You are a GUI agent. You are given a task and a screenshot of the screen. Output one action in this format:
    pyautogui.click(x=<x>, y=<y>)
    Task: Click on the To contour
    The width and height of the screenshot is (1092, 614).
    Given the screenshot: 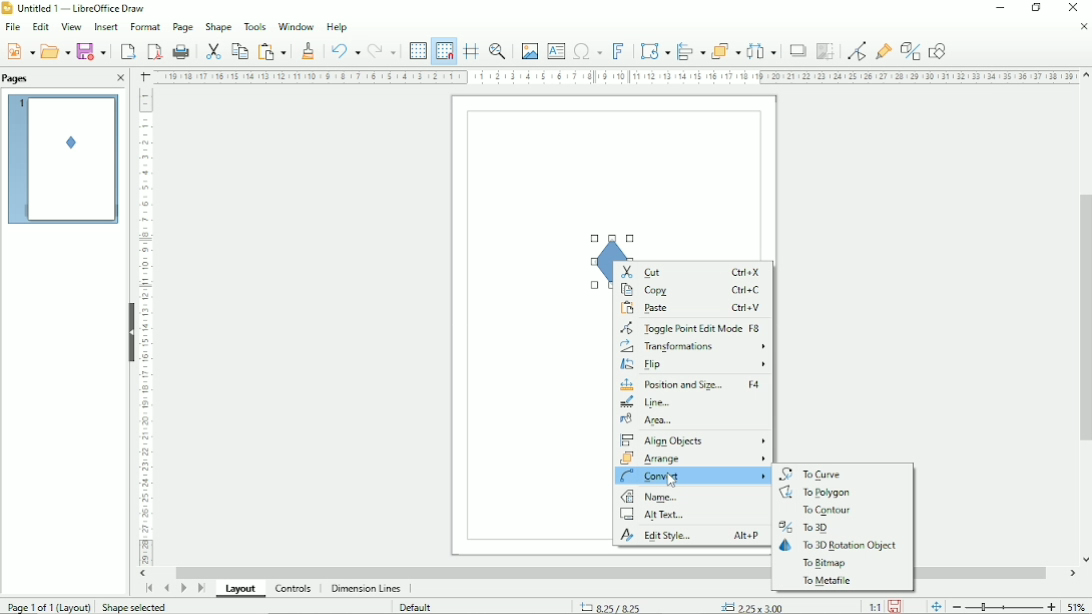 What is the action you would take?
    pyautogui.click(x=824, y=511)
    